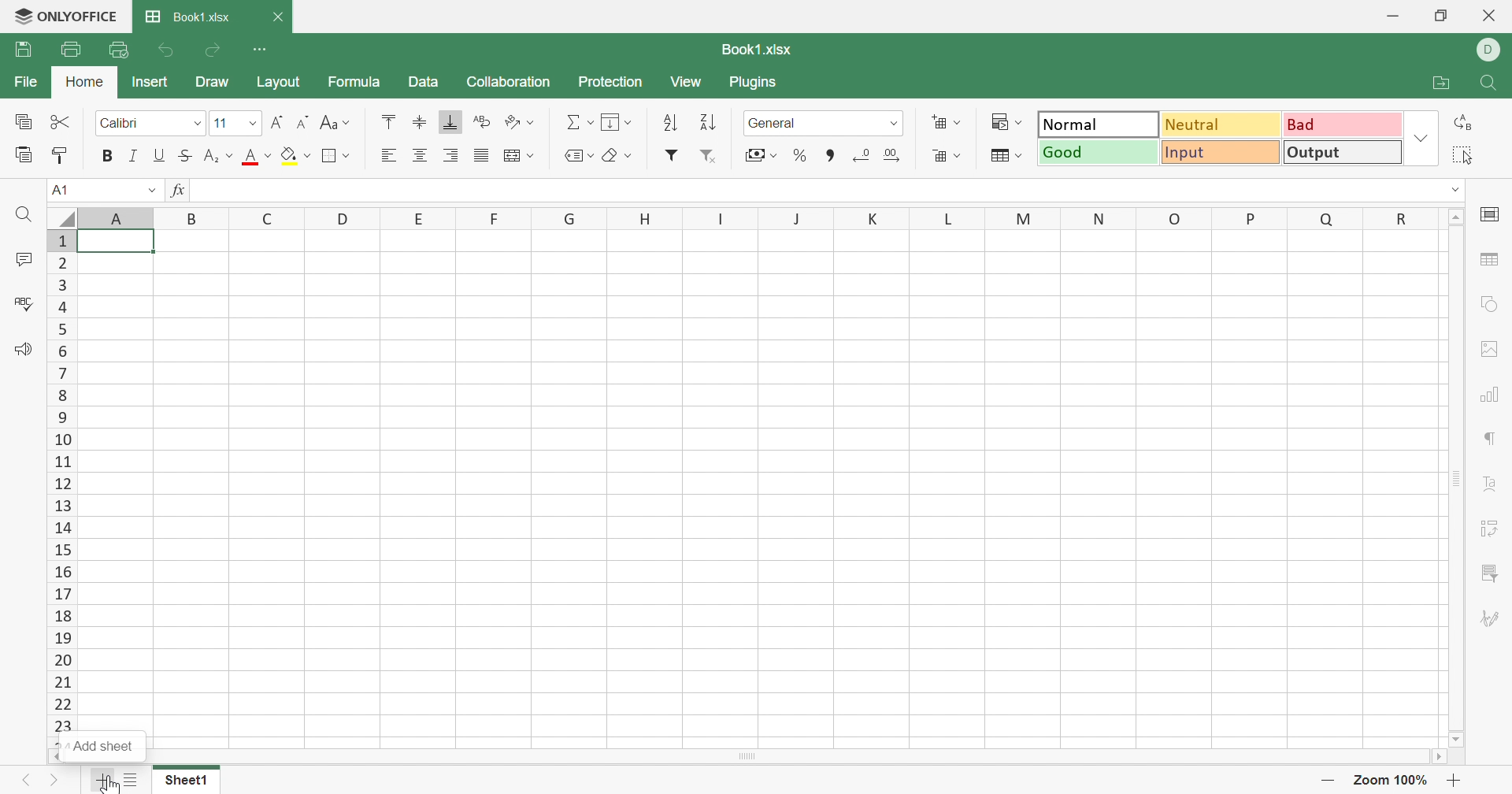 Image resolution: width=1512 pixels, height=794 pixels. Describe the element at coordinates (61, 758) in the screenshot. I see `Scroll left` at that location.